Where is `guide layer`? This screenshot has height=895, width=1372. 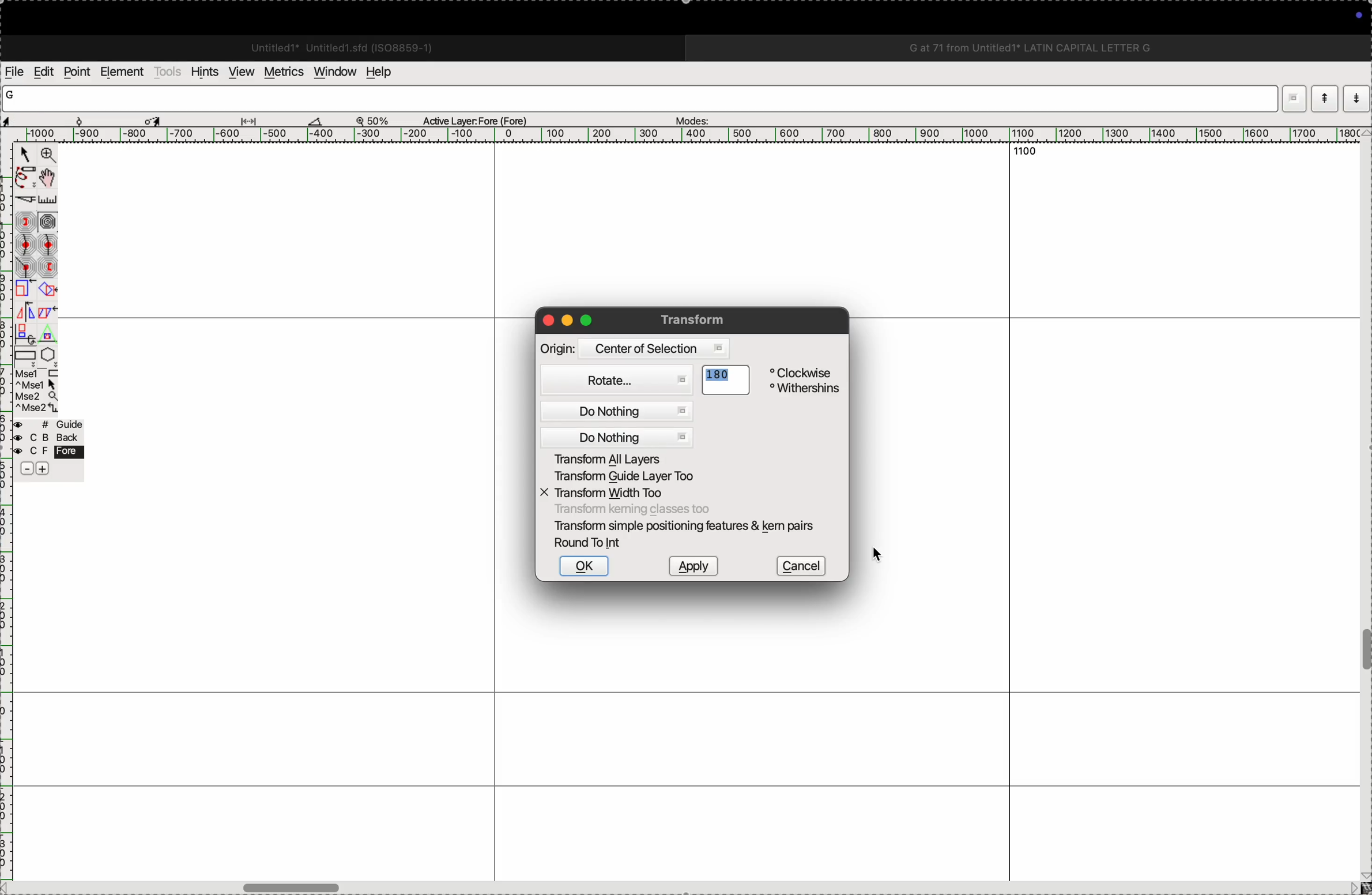 guide layer is located at coordinates (48, 423).